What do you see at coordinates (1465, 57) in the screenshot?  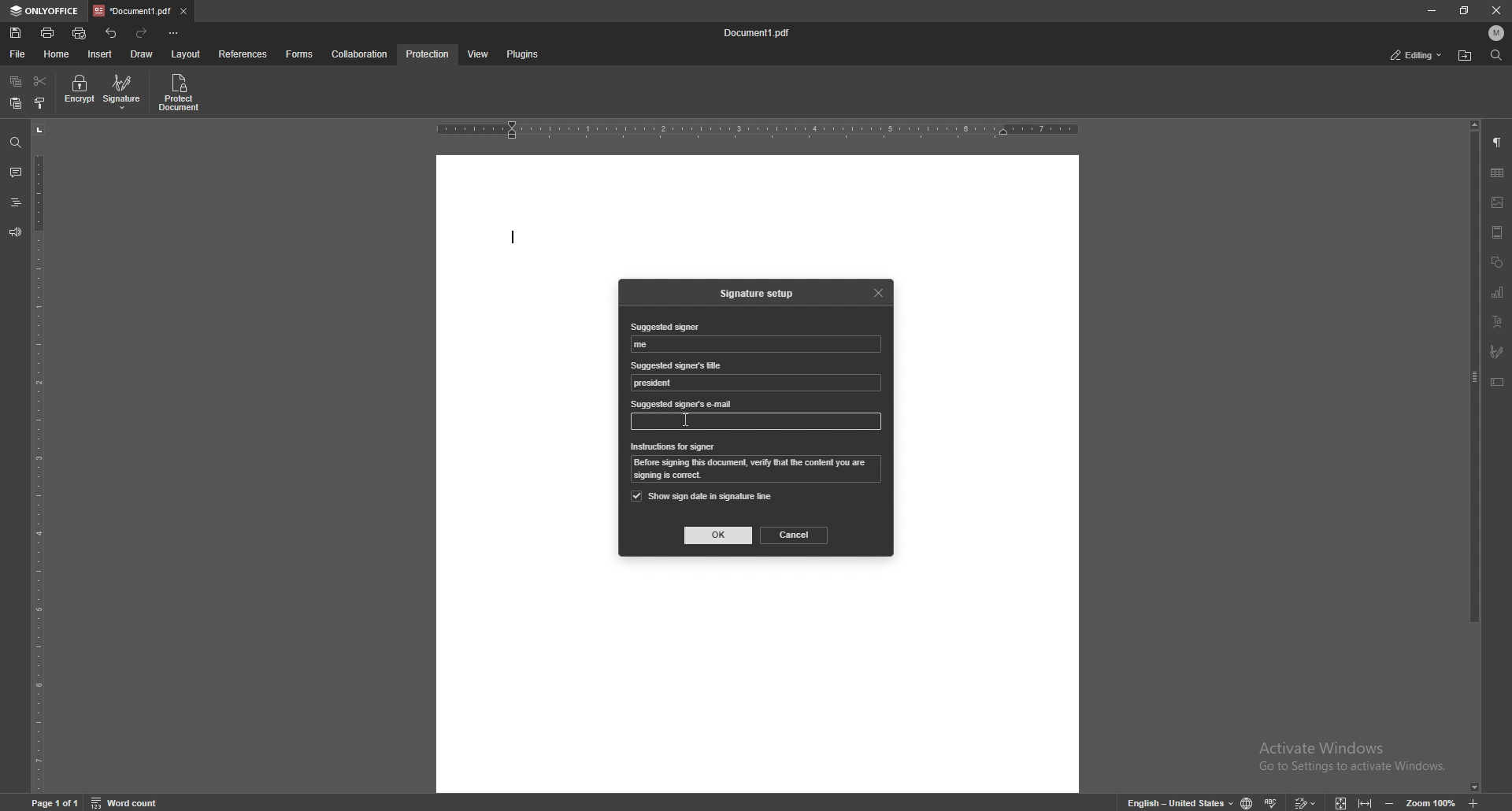 I see `locate file` at bounding box center [1465, 57].